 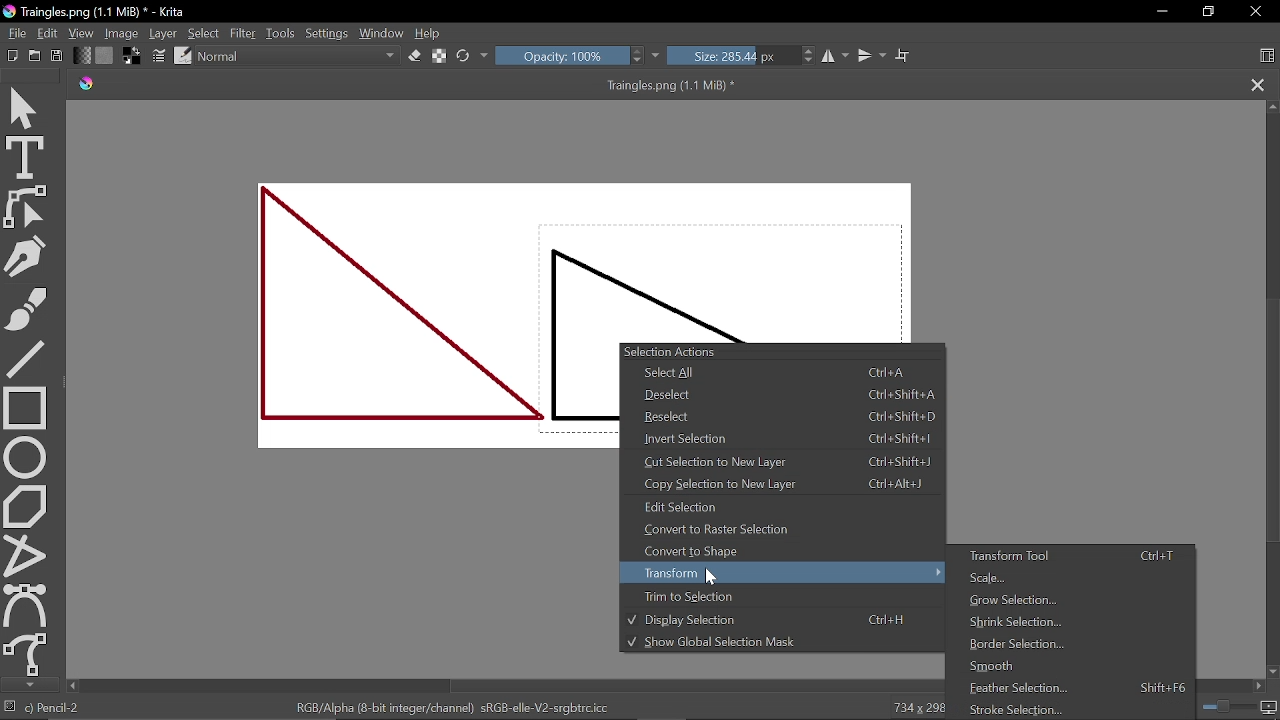 What do you see at coordinates (414, 57) in the screenshot?
I see `Eraser` at bounding box center [414, 57].